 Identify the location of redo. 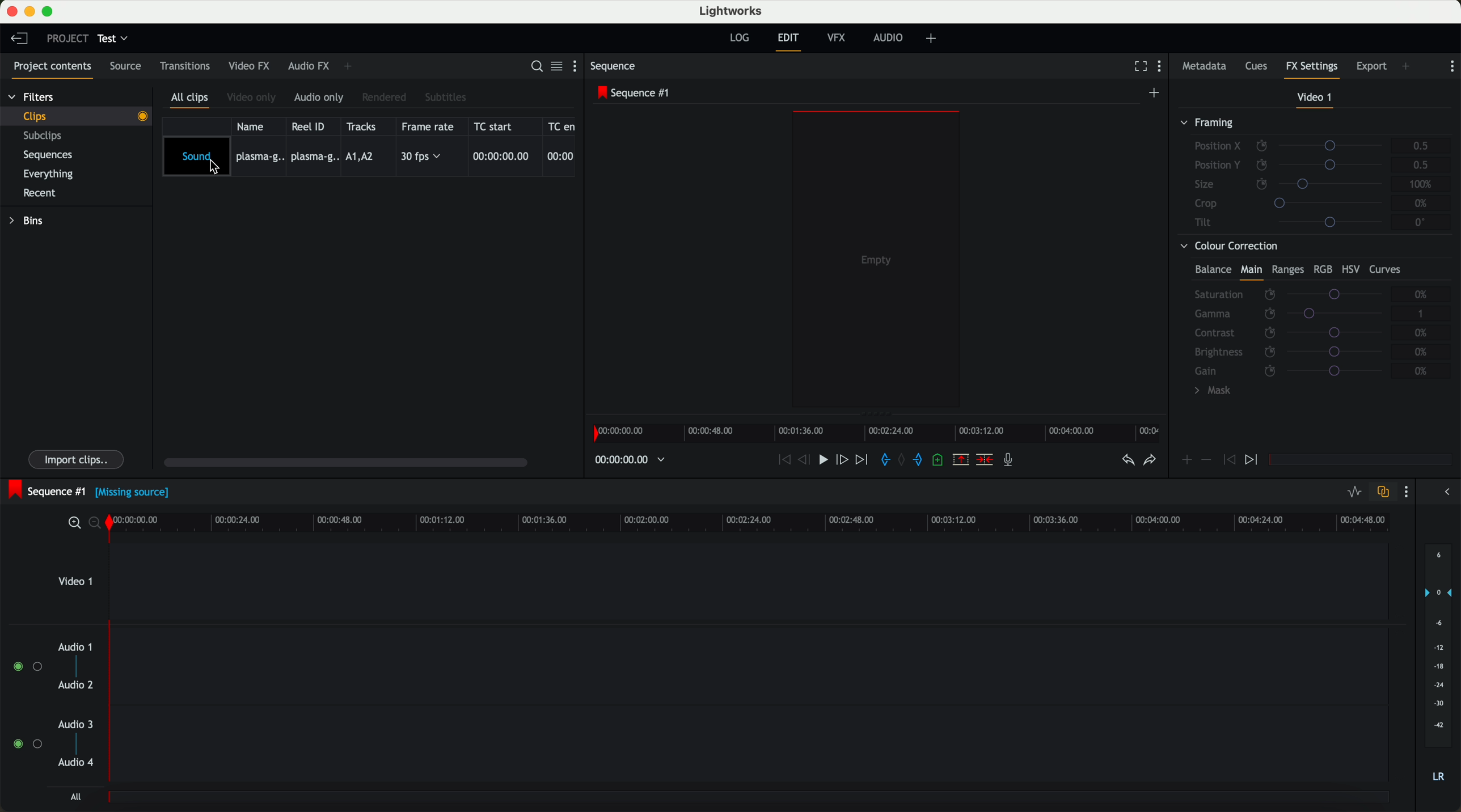
(1148, 462).